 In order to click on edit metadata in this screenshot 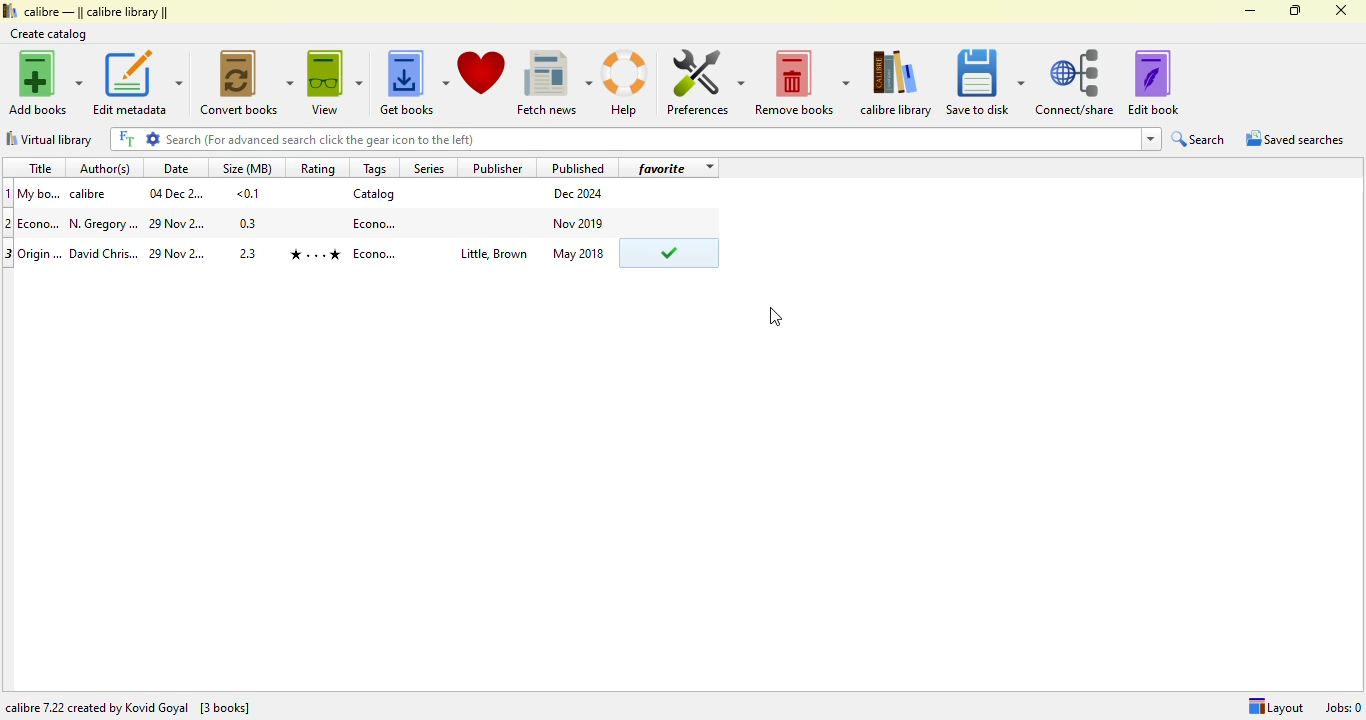, I will do `click(137, 82)`.